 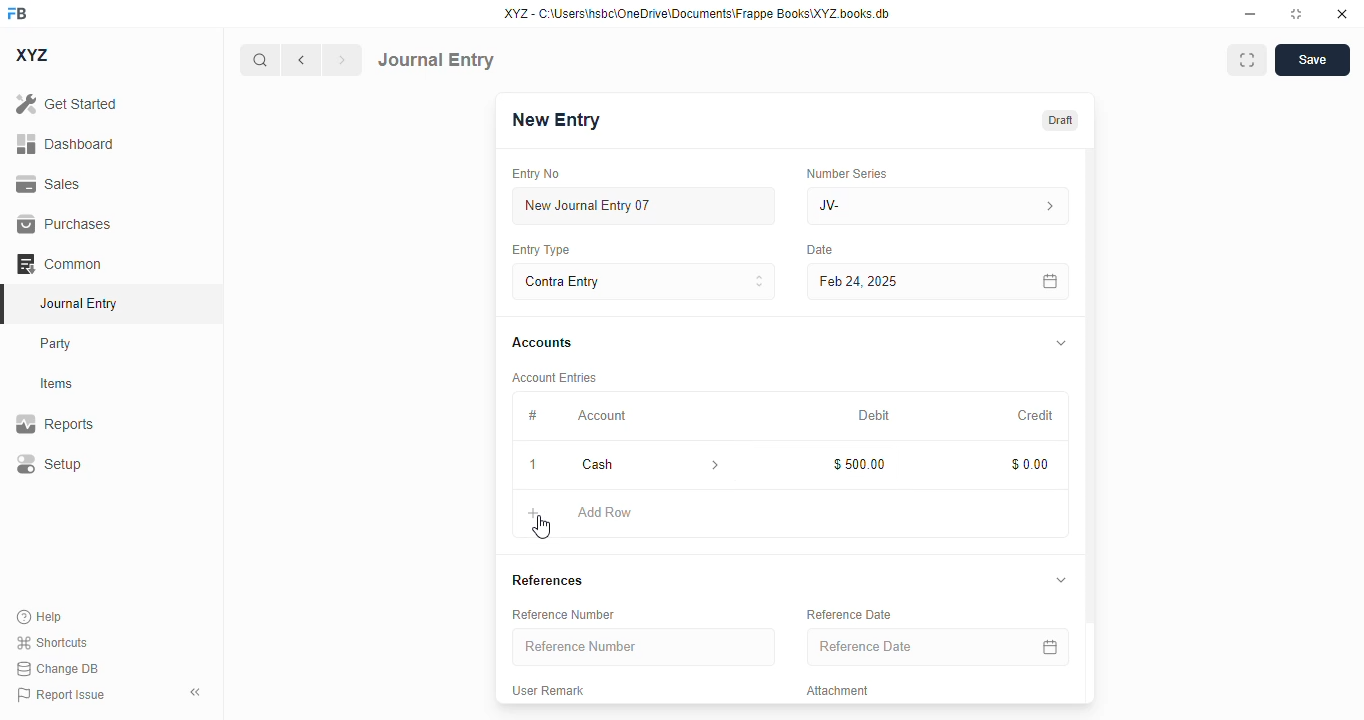 I want to click on journal entry, so click(x=80, y=303).